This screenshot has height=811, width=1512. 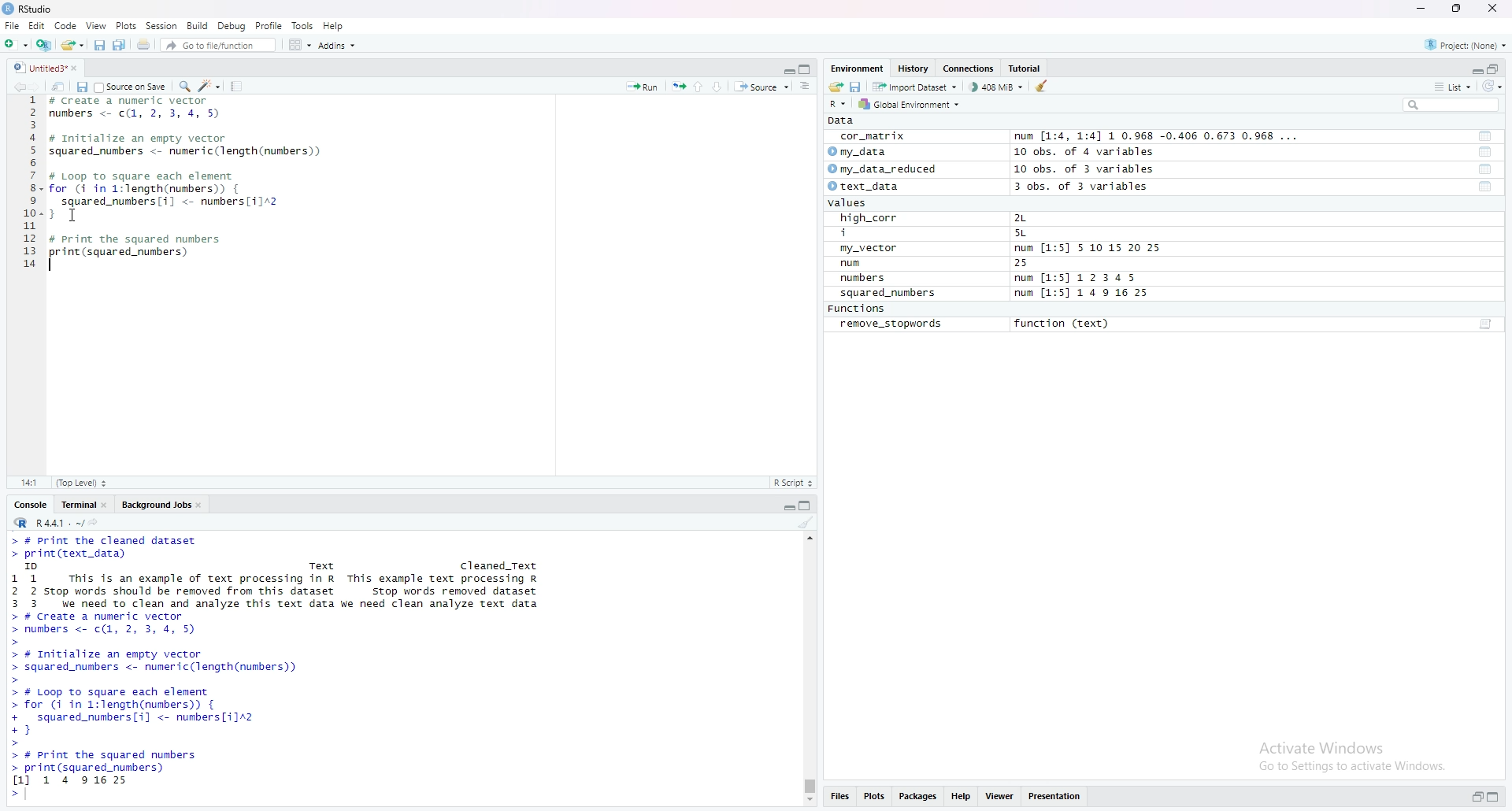 I want to click on Packages, so click(x=919, y=798).